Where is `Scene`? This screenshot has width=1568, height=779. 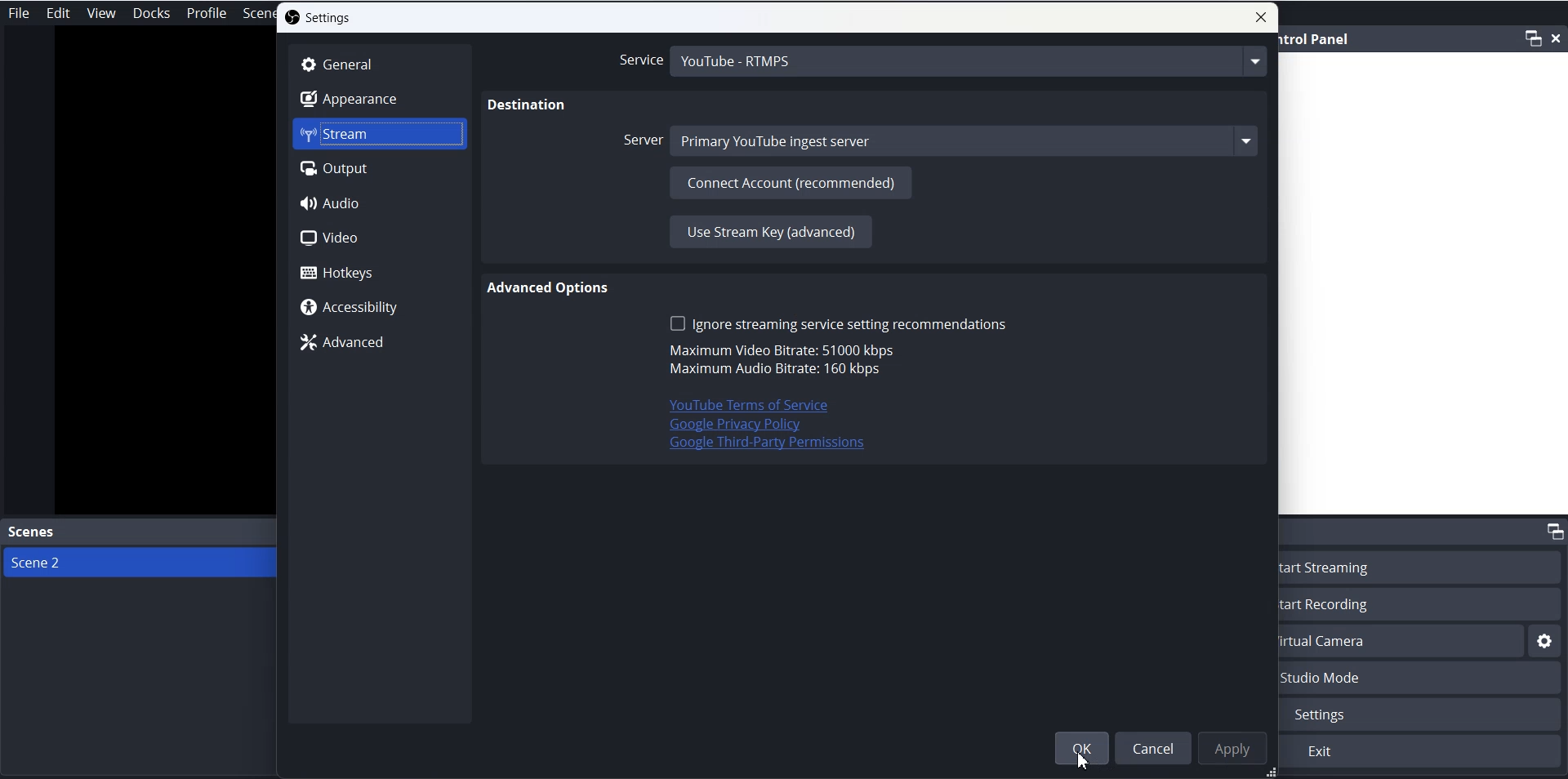 Scene is located at coordinates (260, 14).